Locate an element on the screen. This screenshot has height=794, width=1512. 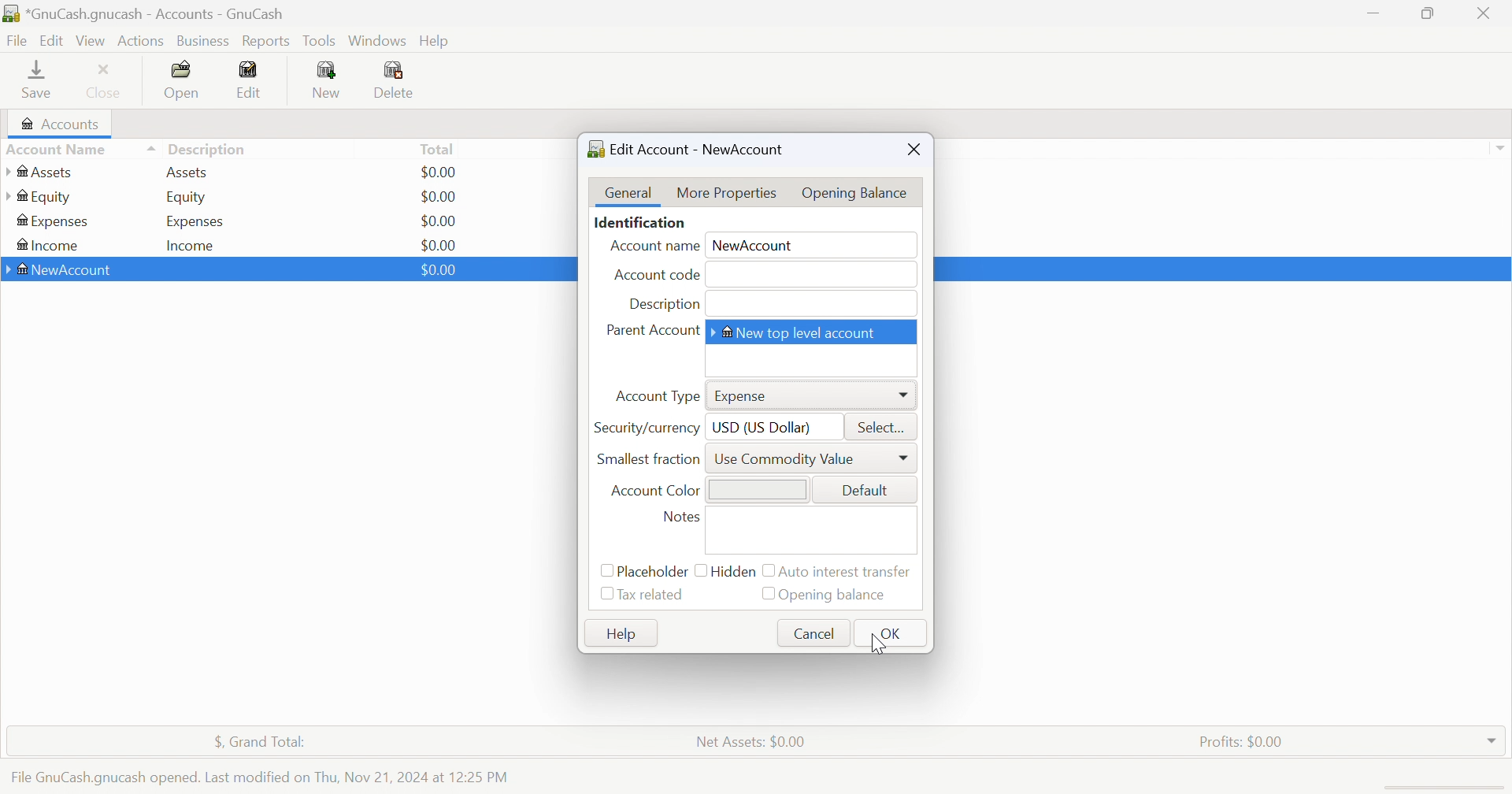
Drop Down is located at coordinates (905, 458).